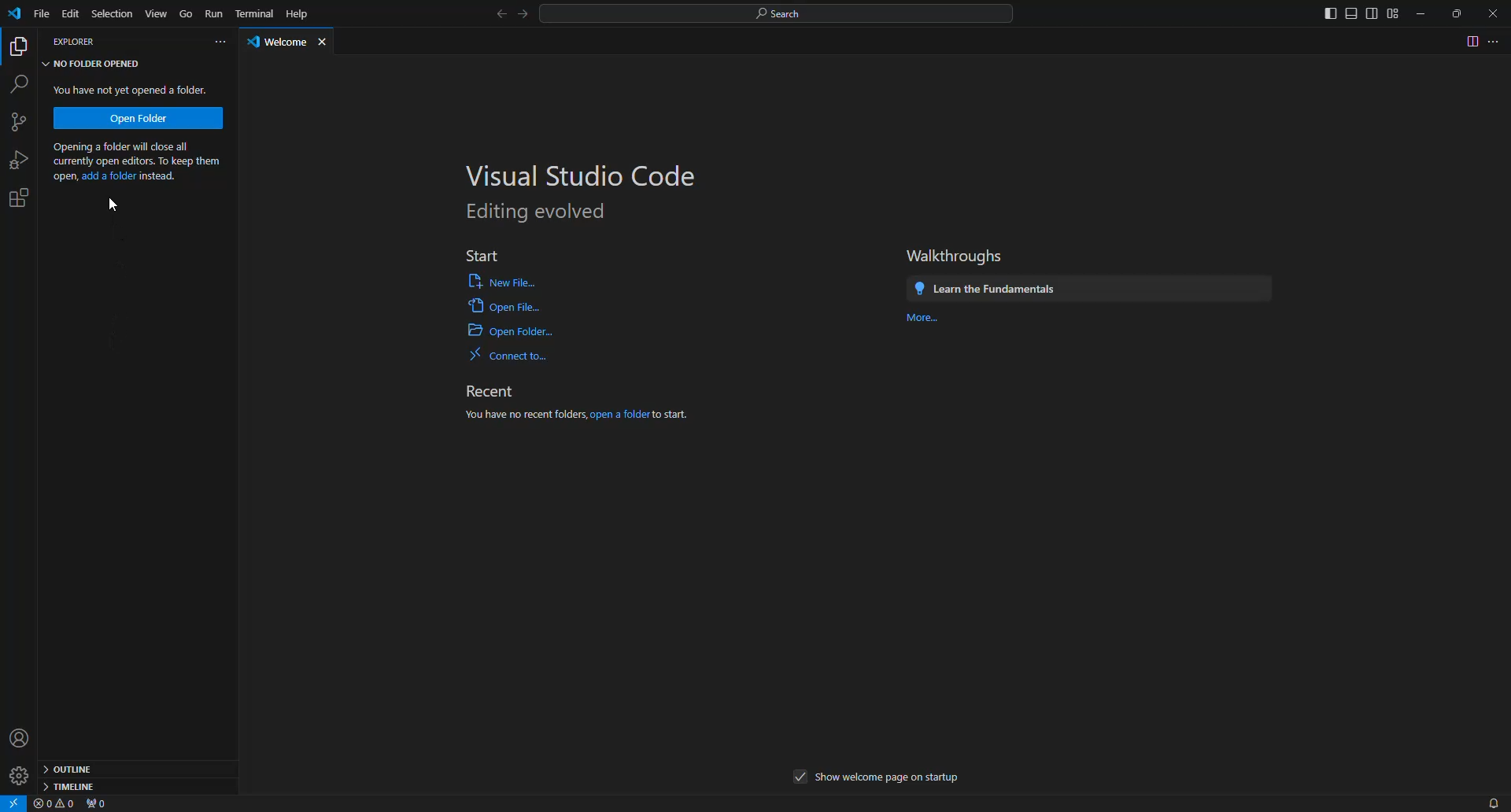 The image size is (1511, 812). What do you see at coordinates (524, 16) in the screenshot?
I see `go forward` at bounding box center [524, 16].